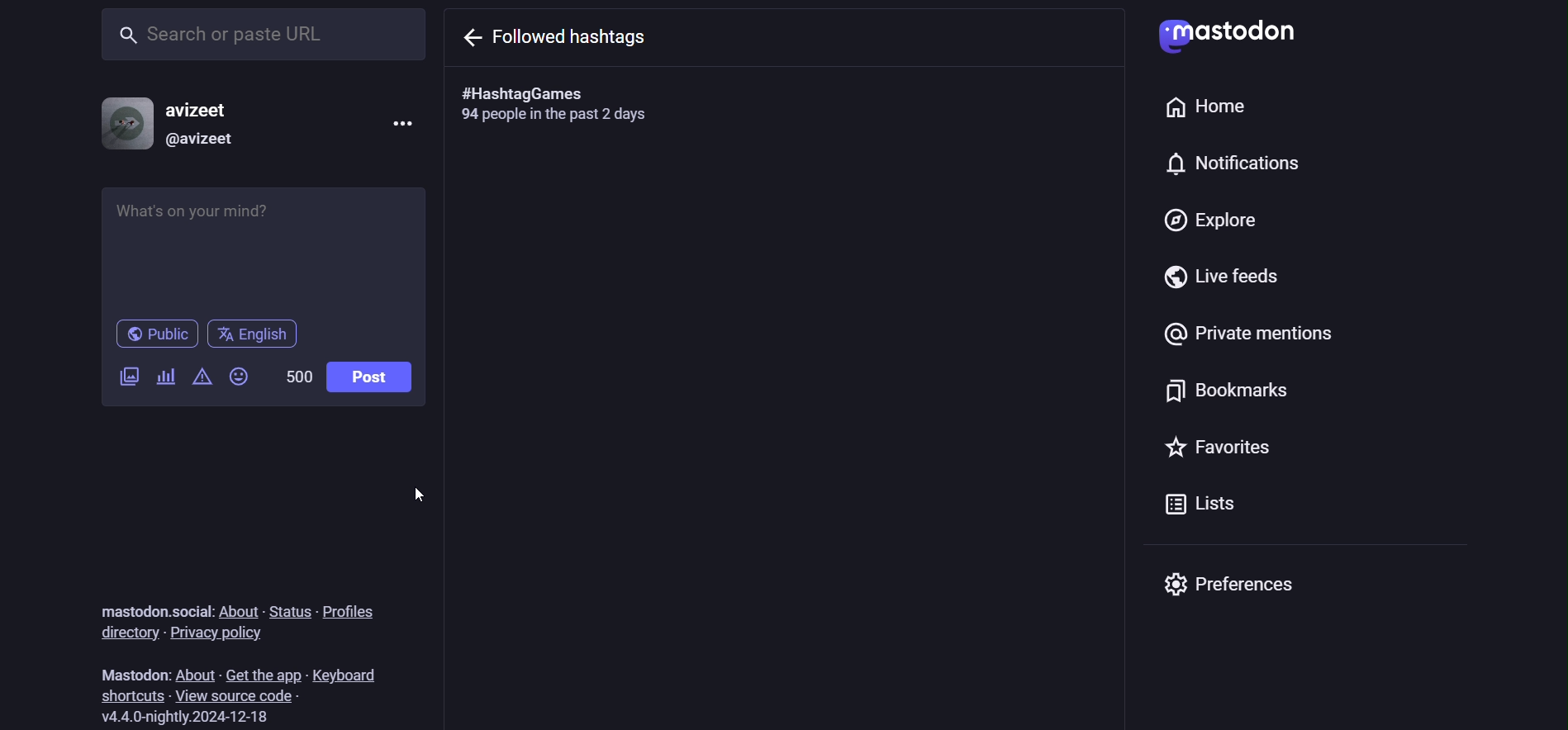 Image resolution: width=1568 pixels, height=730 pixels. I want to click on mastodon.social, so click(157, 604).